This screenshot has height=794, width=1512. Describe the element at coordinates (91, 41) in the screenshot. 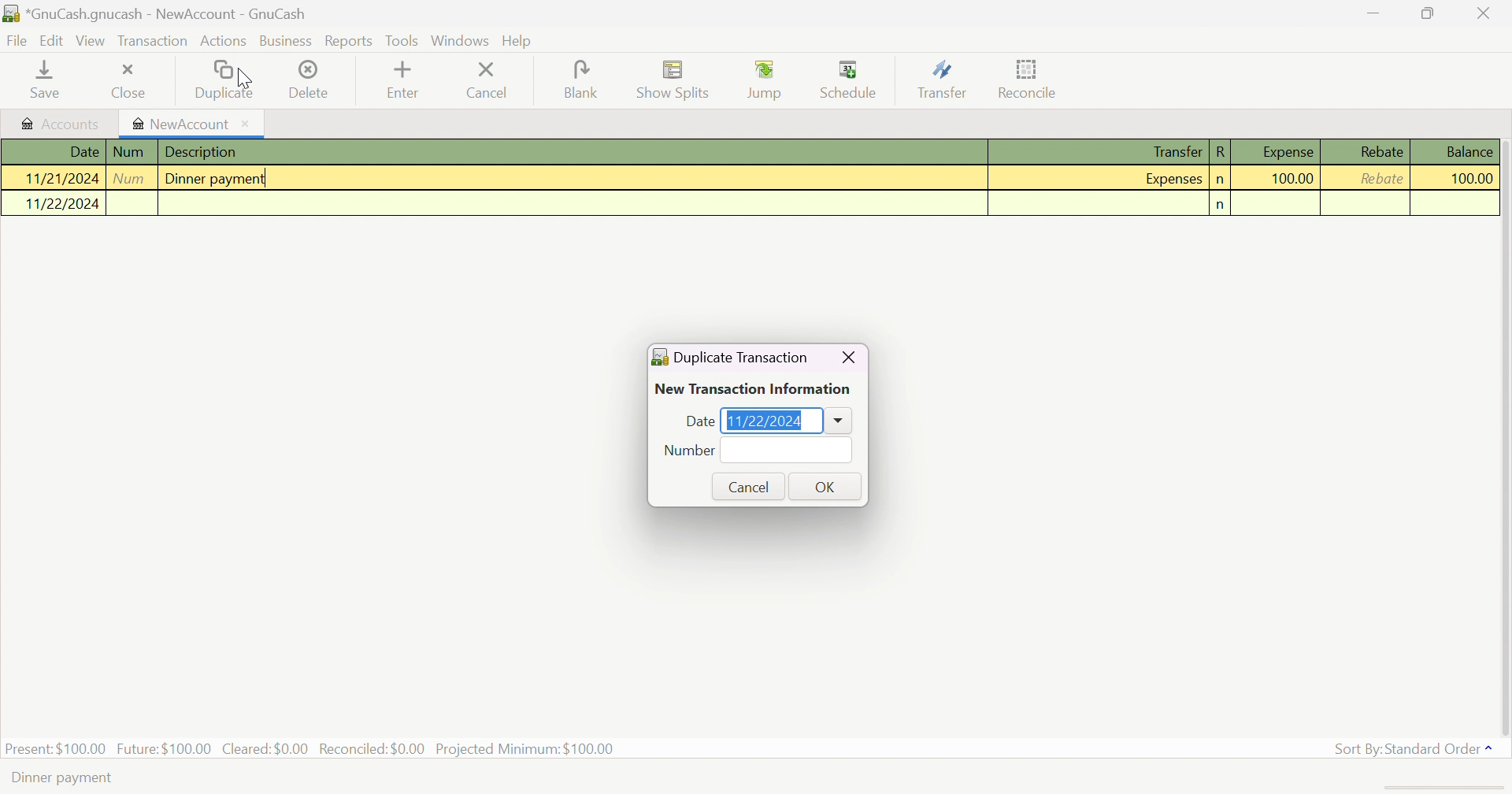

I see `View` at that location.